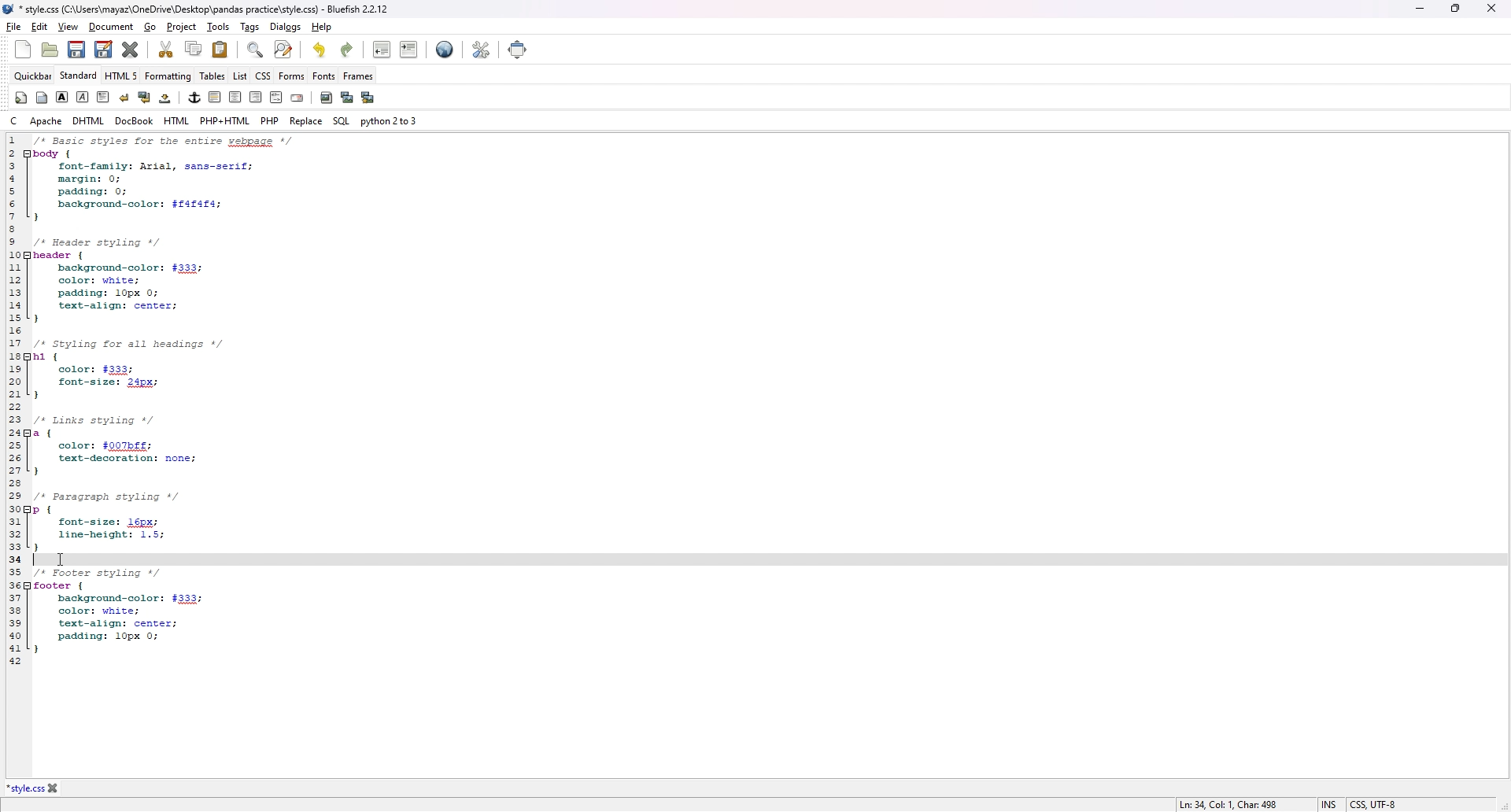 Image resolution: width=1511 pixels, height=812 pixels. I want to click on open, so click(50, 50).